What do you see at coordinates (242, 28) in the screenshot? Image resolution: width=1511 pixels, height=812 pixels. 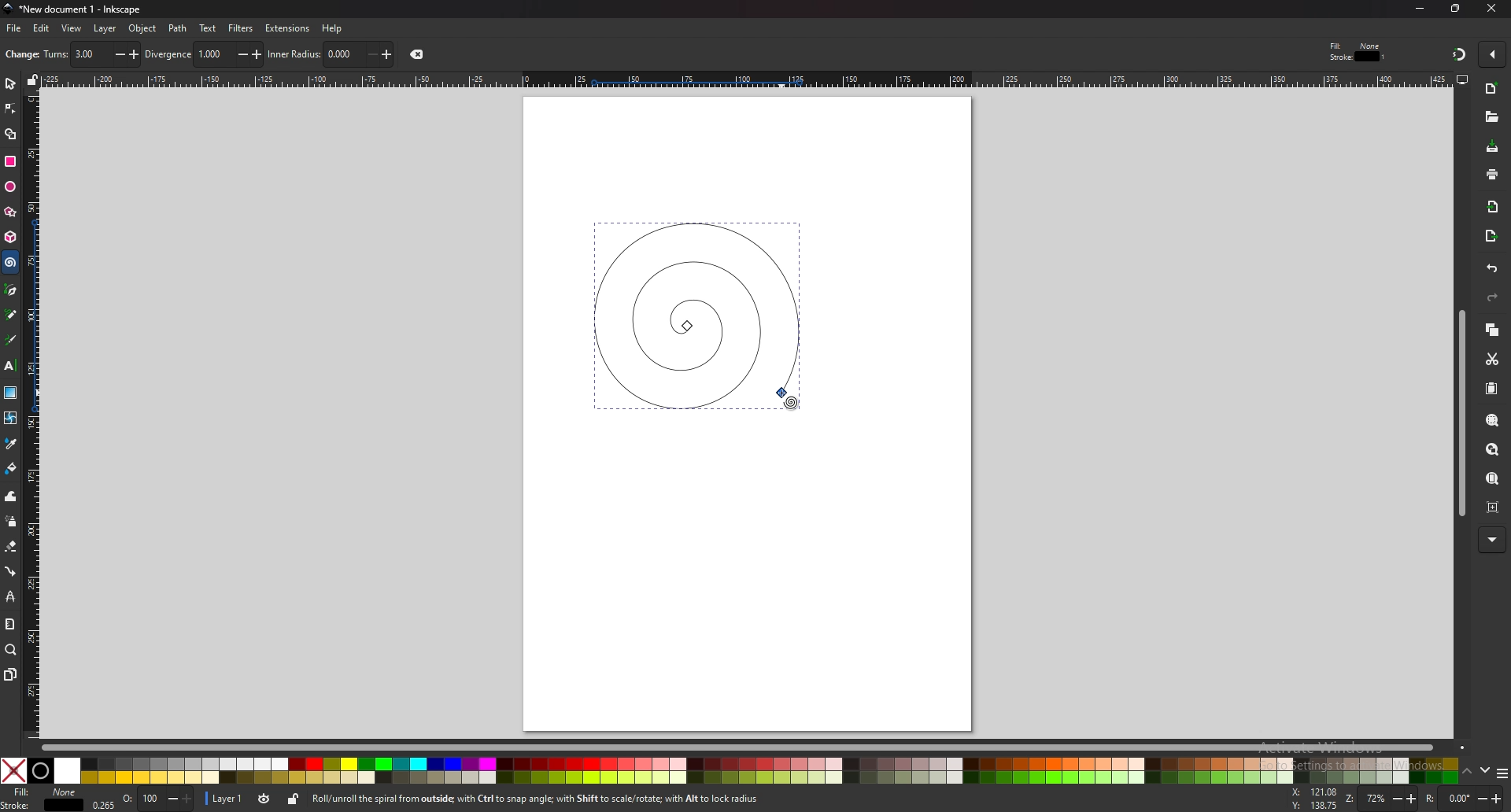 I see `filters` at bounding box center [242, 28].